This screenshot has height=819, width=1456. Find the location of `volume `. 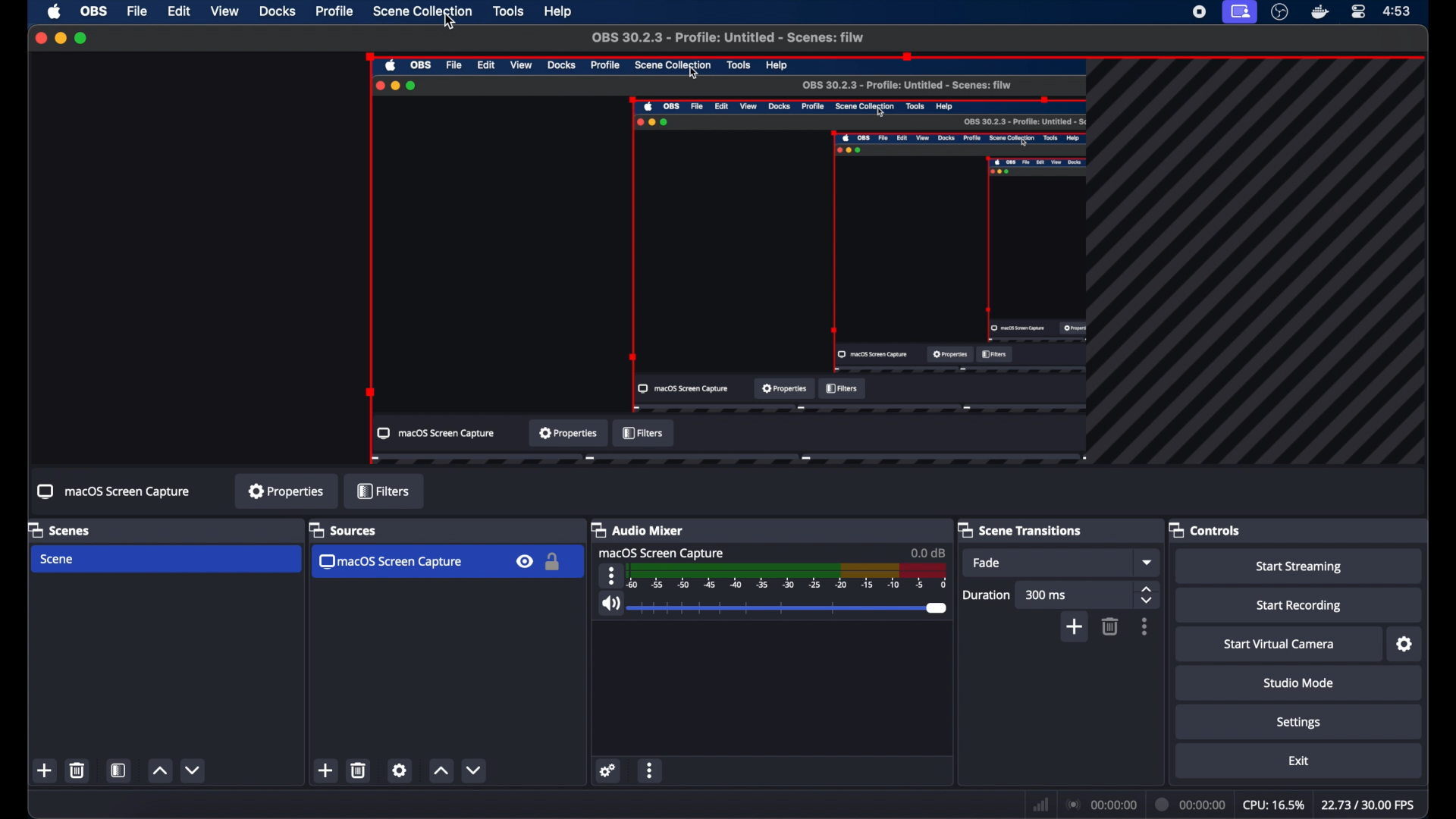

volume  is located at coordinates (609, 604).